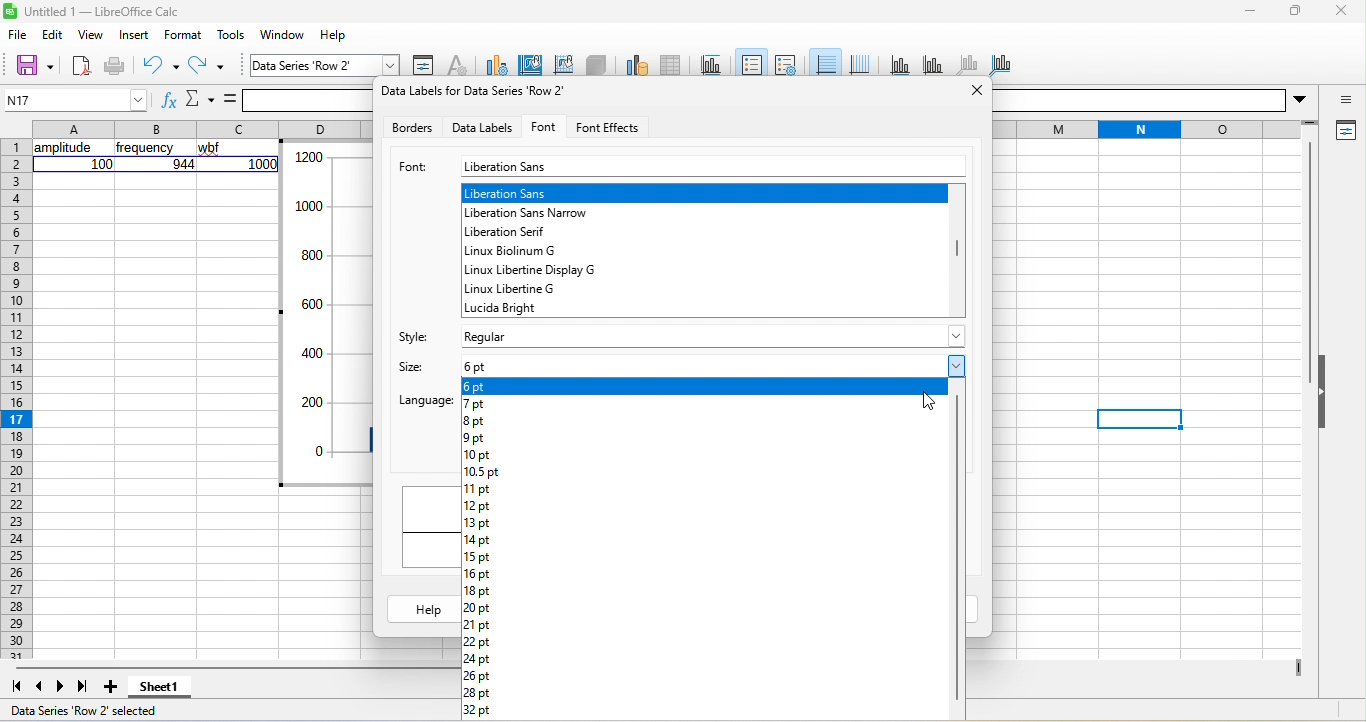  Describe the element at coordinates (837, 258) in the screenshot. I see `rows` at that location.